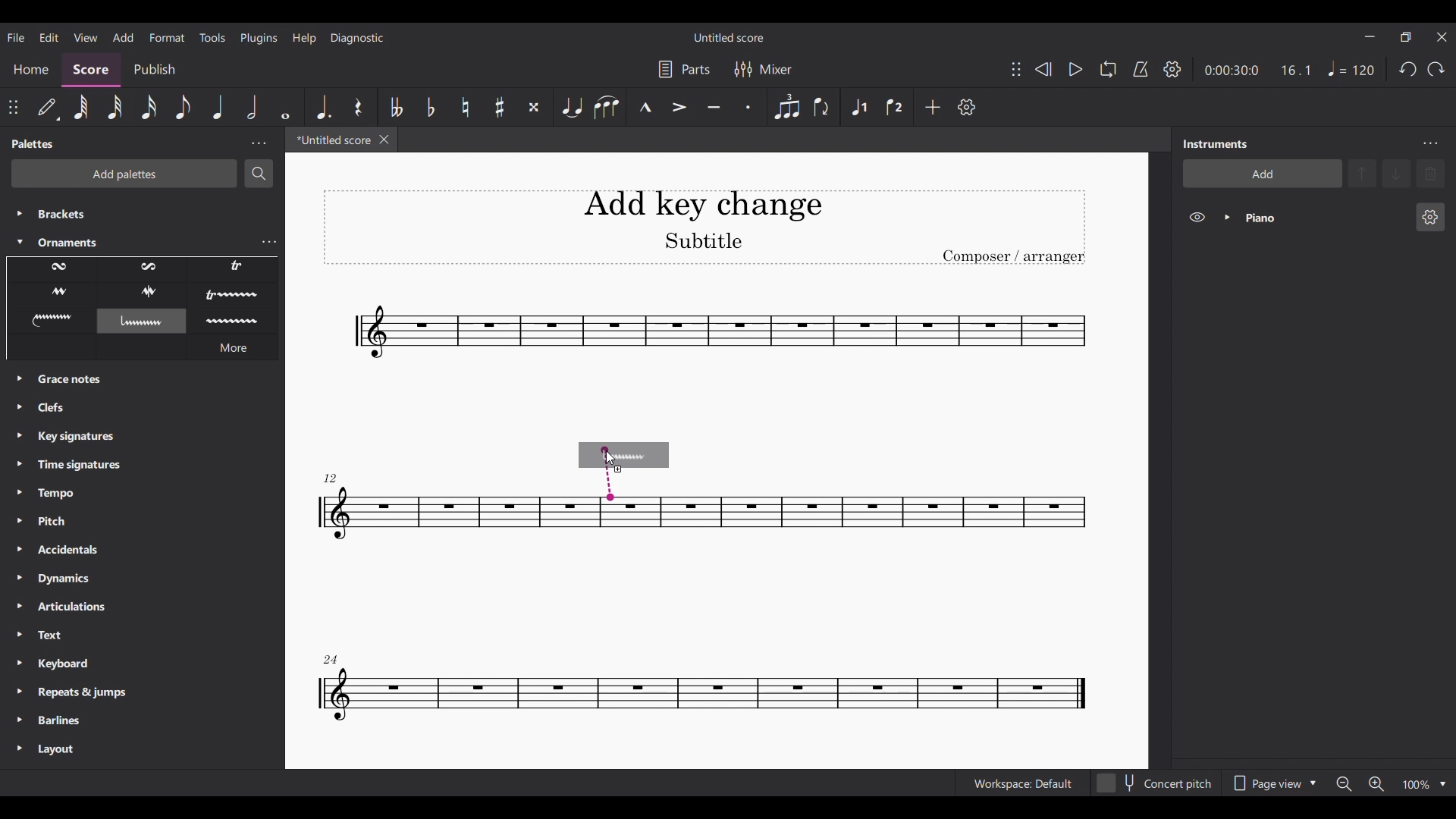 This screenshot has width=1456, height=819. What do you see at coordinates (218, 106) in the screenshot?
I see `Quarter note` at bounding box center [218, 106].